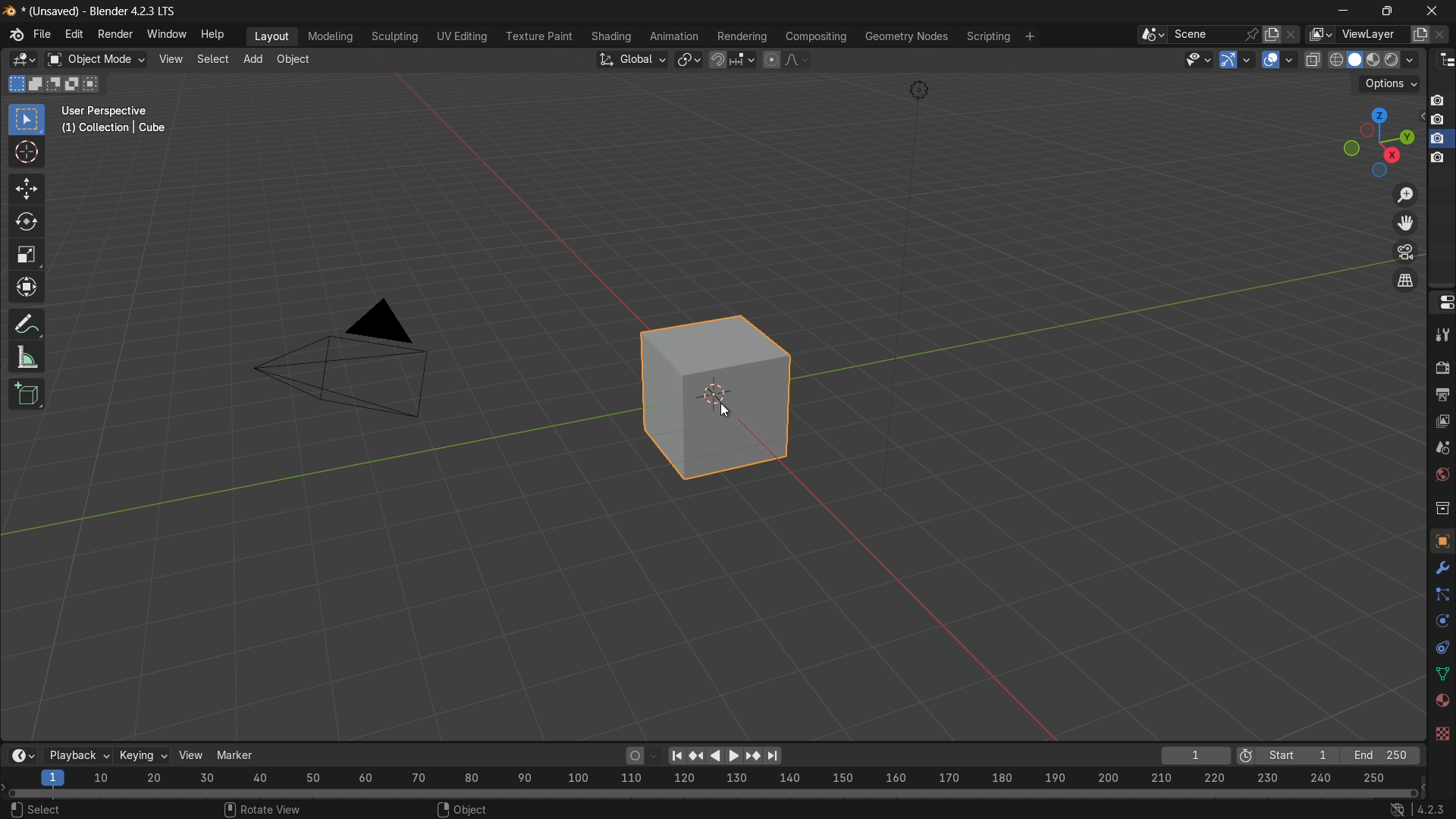  What do you see at coordinates (1270, 33) in the screenshot?
I see `new scene` at bounding box center [1270, 33].